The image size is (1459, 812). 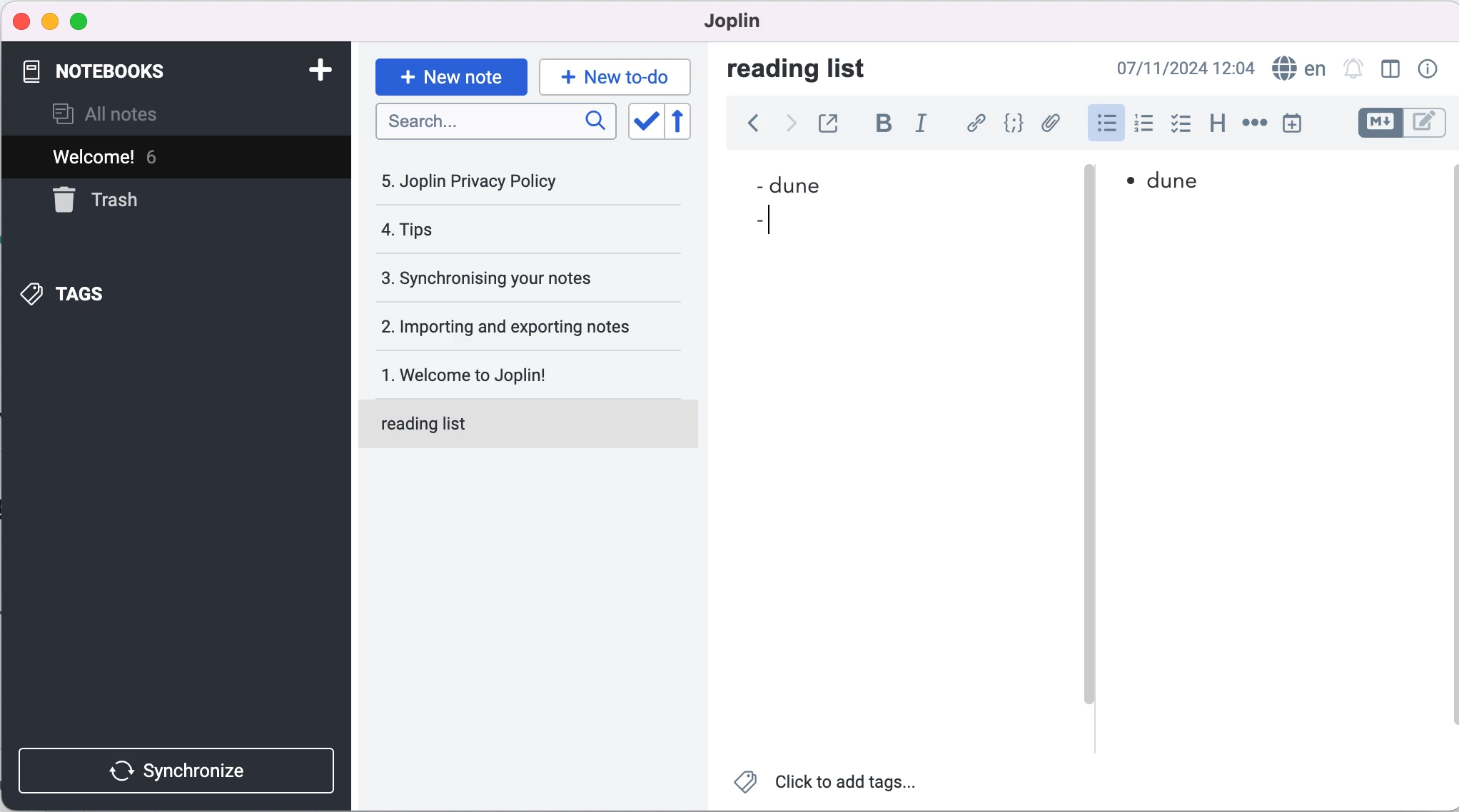 What do you see at coordinates (1254, 125) in the screenshot?
I see `horizontal rule` at bounding box center [1254, 125].